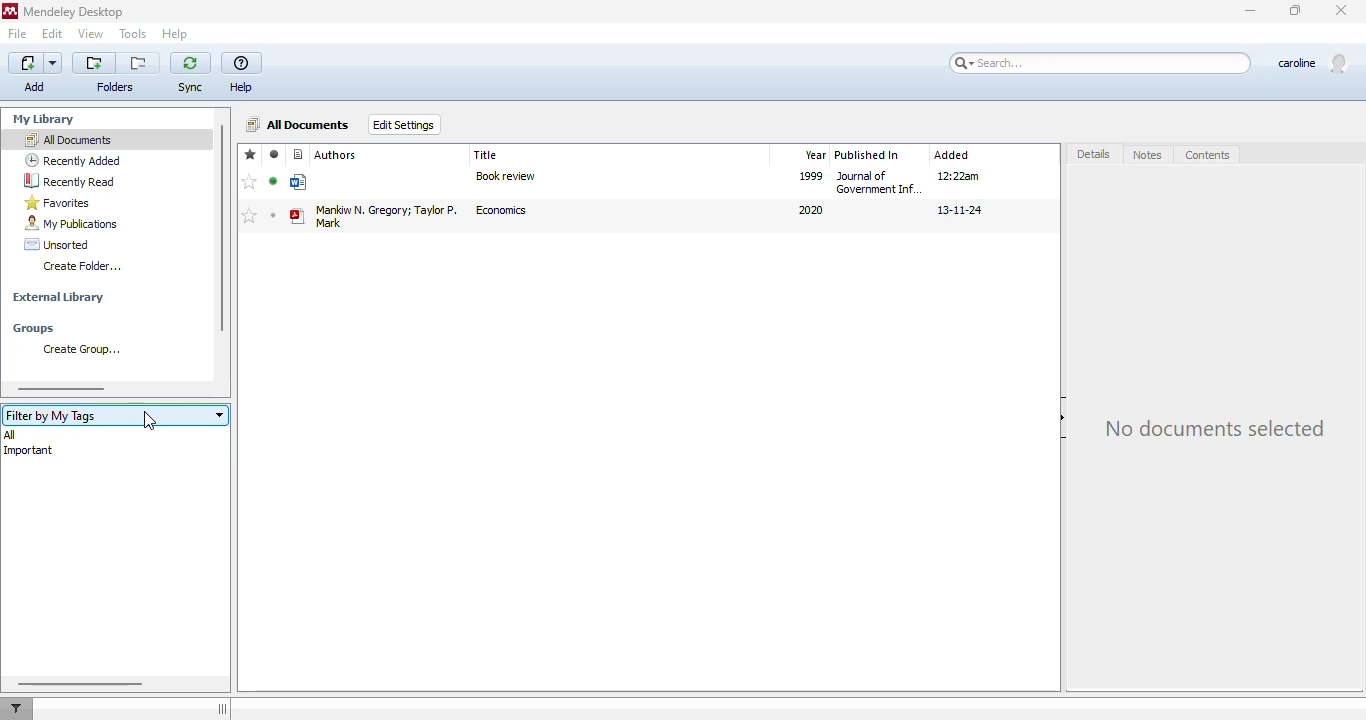 This screenshot has width=1366, height=720. What do you see at coordinates (59, 297) in the screenshot?
I see `external library` at bounding box center [59, 297].